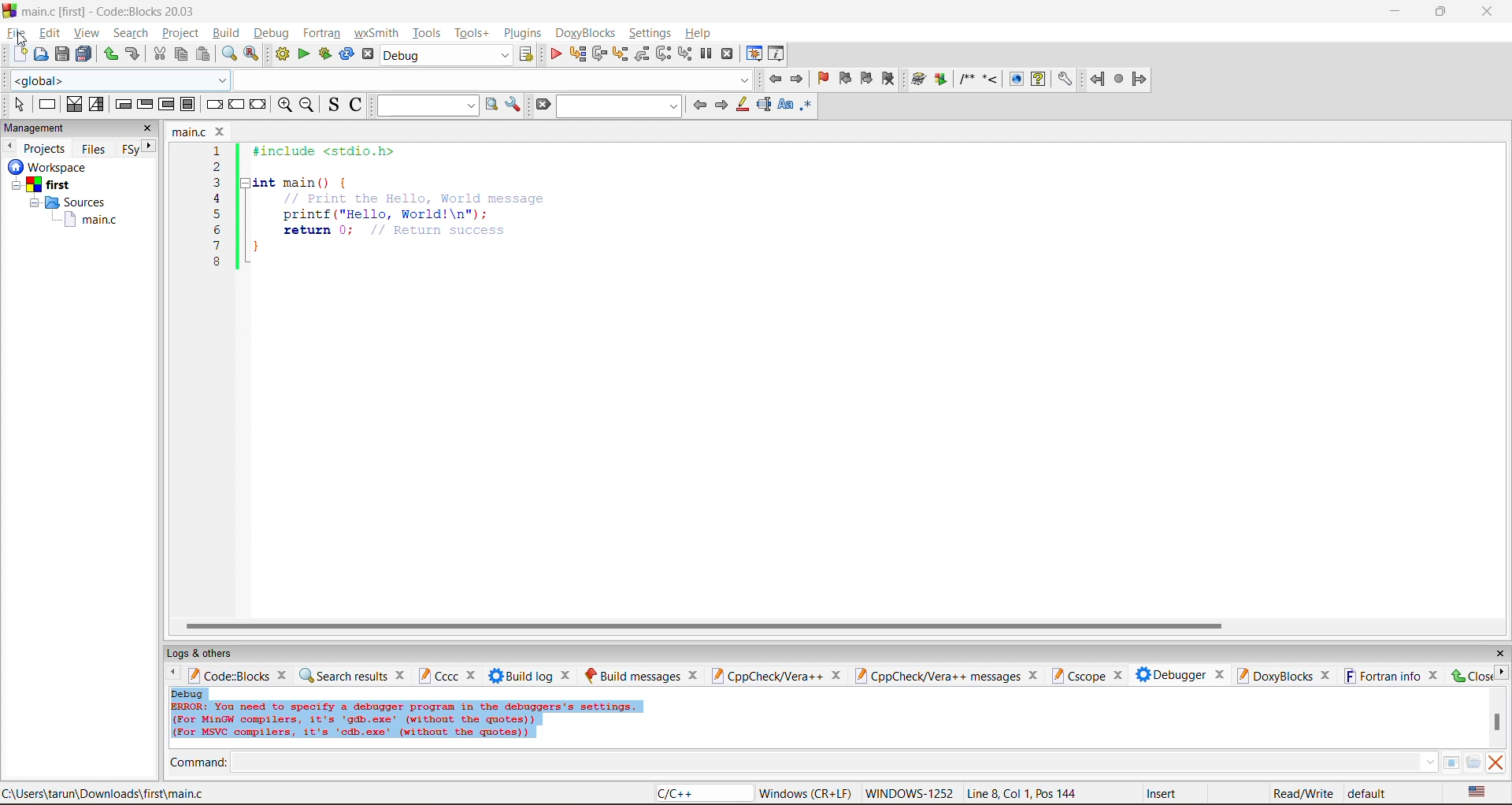  Describe the element at coordinates (641, 54) in the screenshot. I see `step out` at that location.